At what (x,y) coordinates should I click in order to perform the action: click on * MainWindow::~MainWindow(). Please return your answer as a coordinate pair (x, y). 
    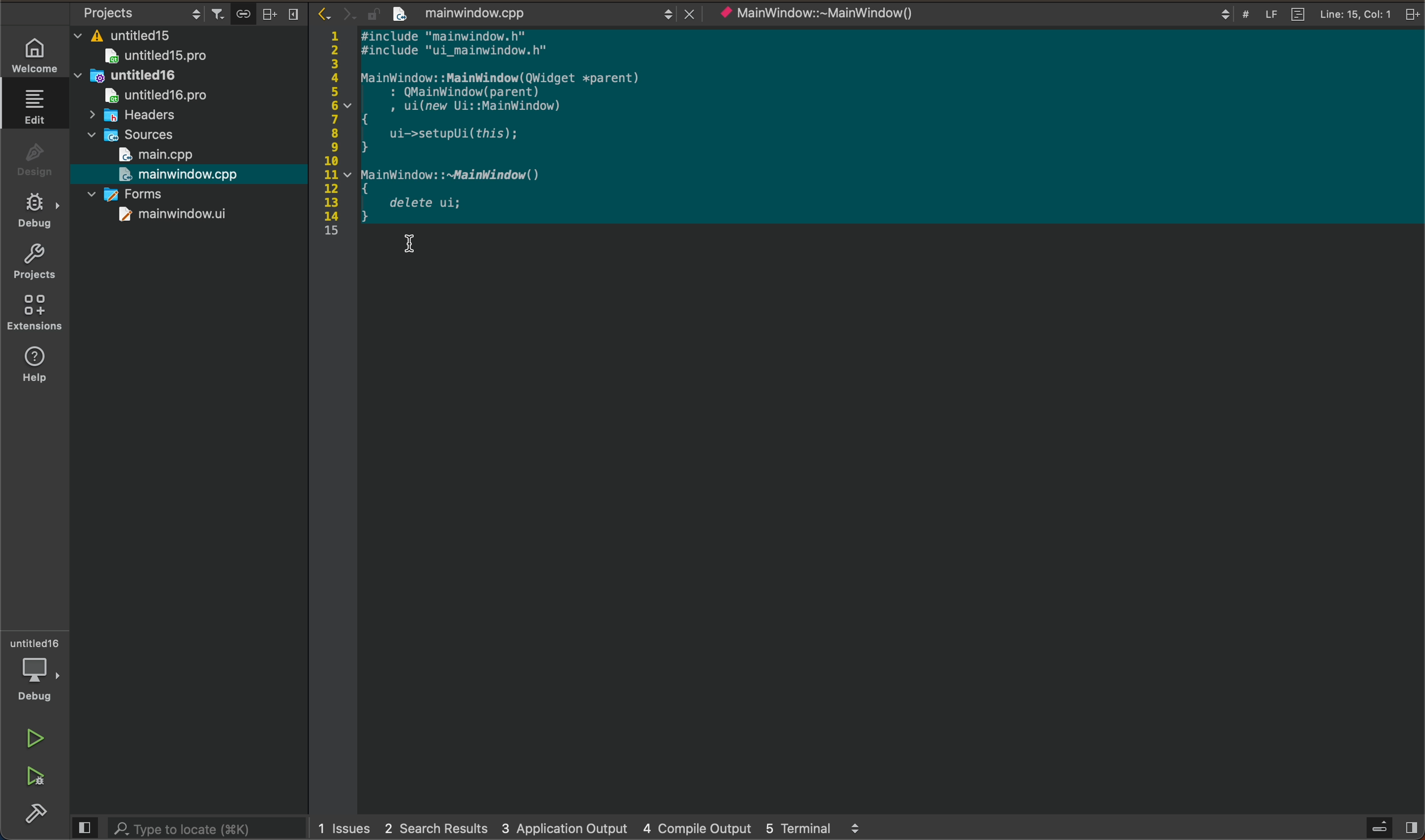
    Looking at the image, I should click on (974, 13).